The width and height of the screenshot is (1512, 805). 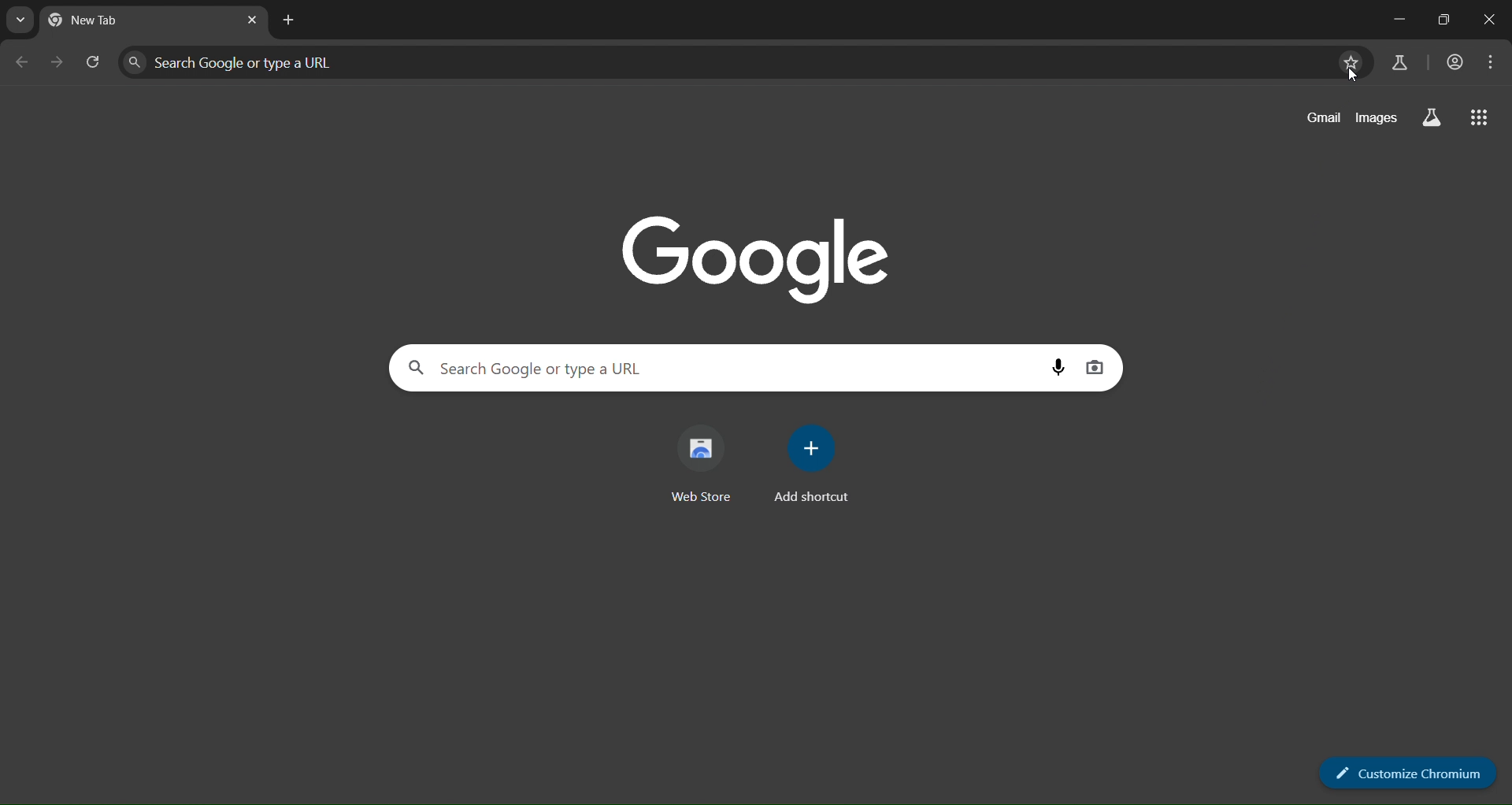 What do you see at coordinates (250, 20) in the screenshot?
I see `close tab` at bounding box center [250, 20].